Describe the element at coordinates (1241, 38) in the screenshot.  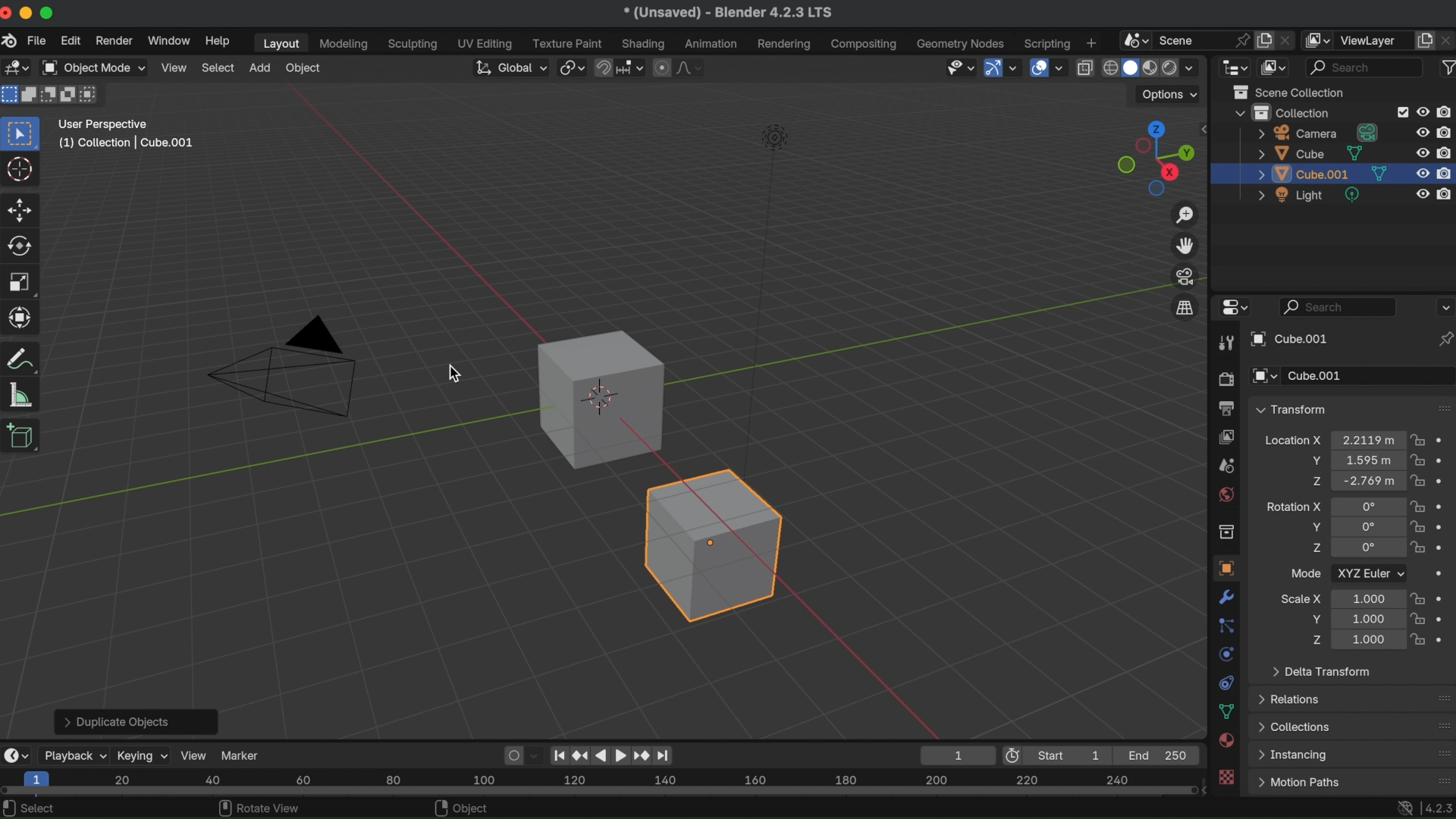
I see `pin scene to workspace` at that location.